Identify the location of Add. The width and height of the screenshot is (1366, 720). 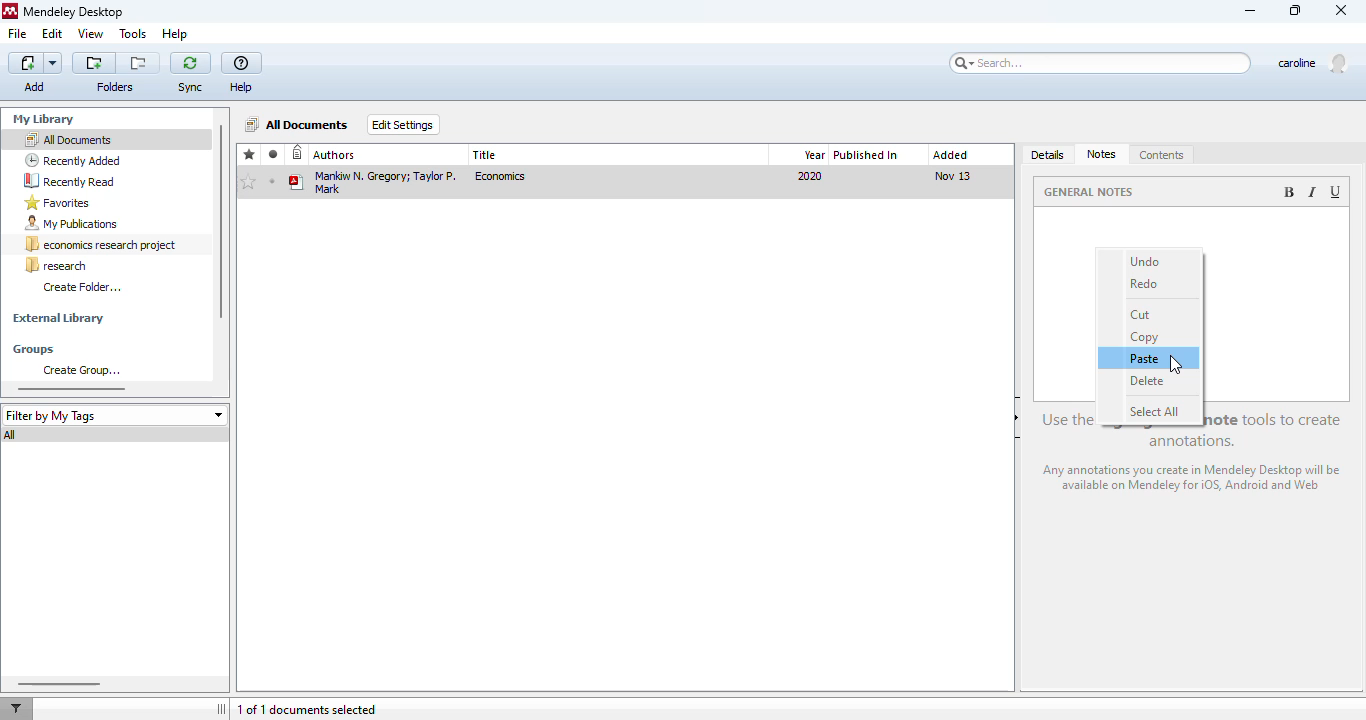
(36, 86).